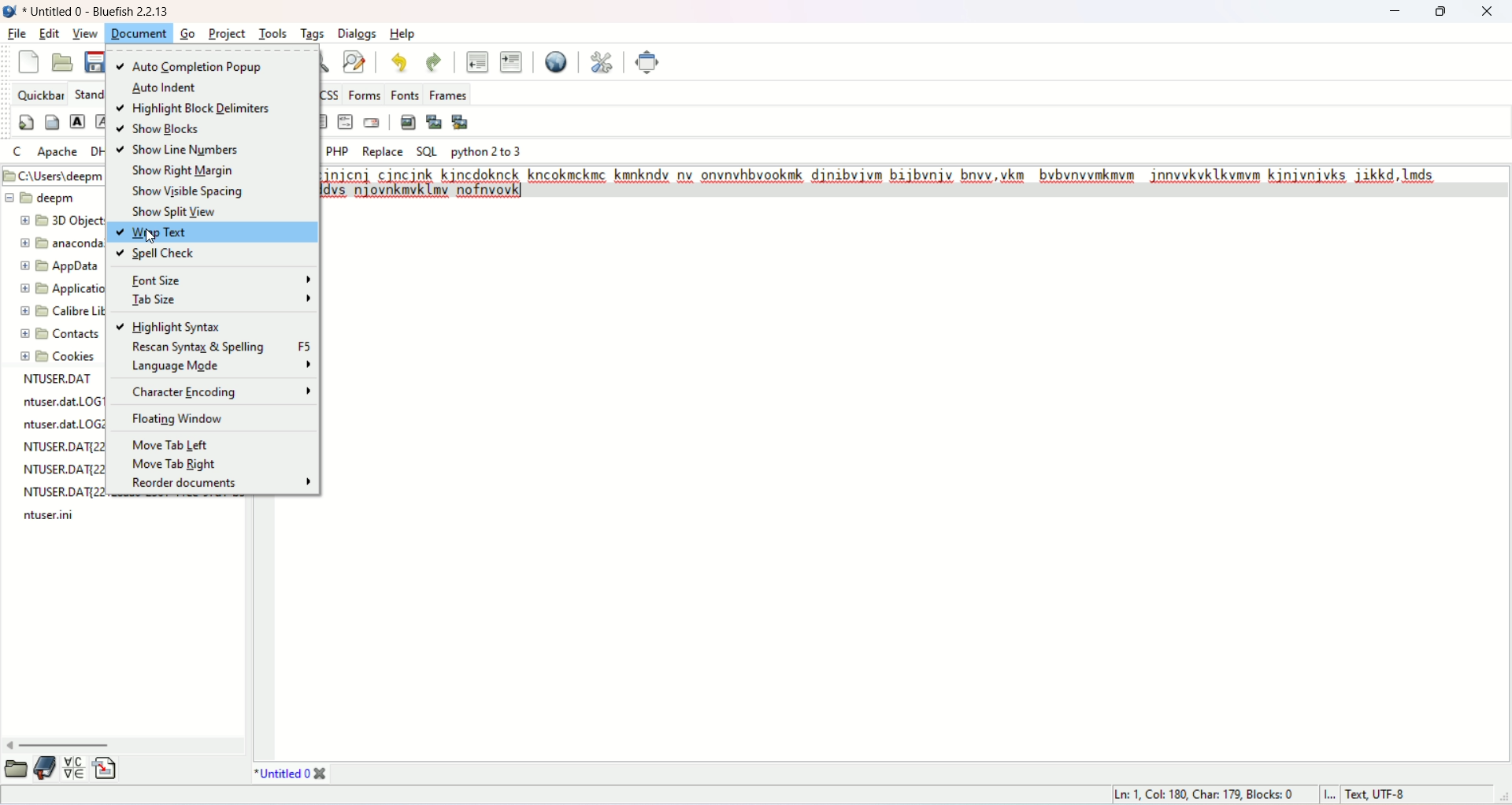 Image resolution: width=1512 pixels, height=805 pixels. Describe the element at coordinates (290, 773) in the screenshot. I see `title` at that location.